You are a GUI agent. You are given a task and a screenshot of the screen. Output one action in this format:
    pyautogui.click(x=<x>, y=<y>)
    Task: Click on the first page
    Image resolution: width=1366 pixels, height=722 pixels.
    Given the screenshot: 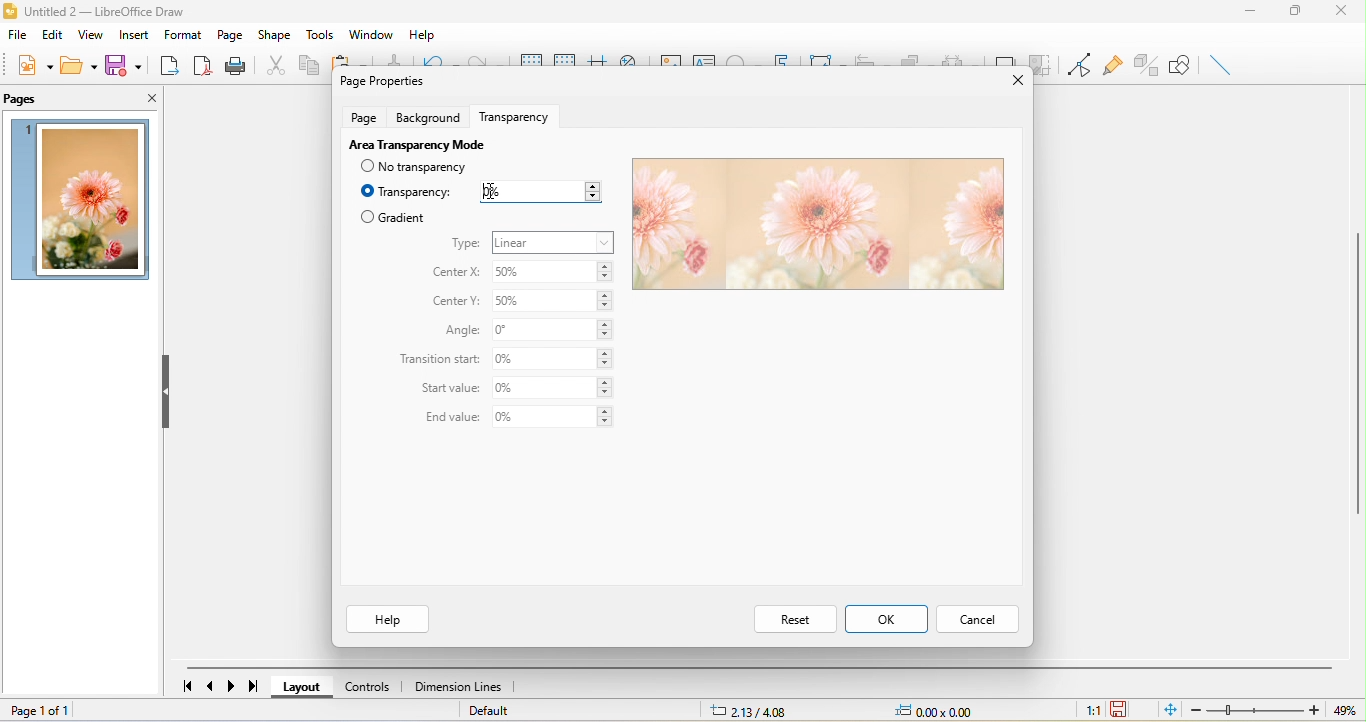 What is the action you would take?
    pyautogui.click(x=187, y=684)
    